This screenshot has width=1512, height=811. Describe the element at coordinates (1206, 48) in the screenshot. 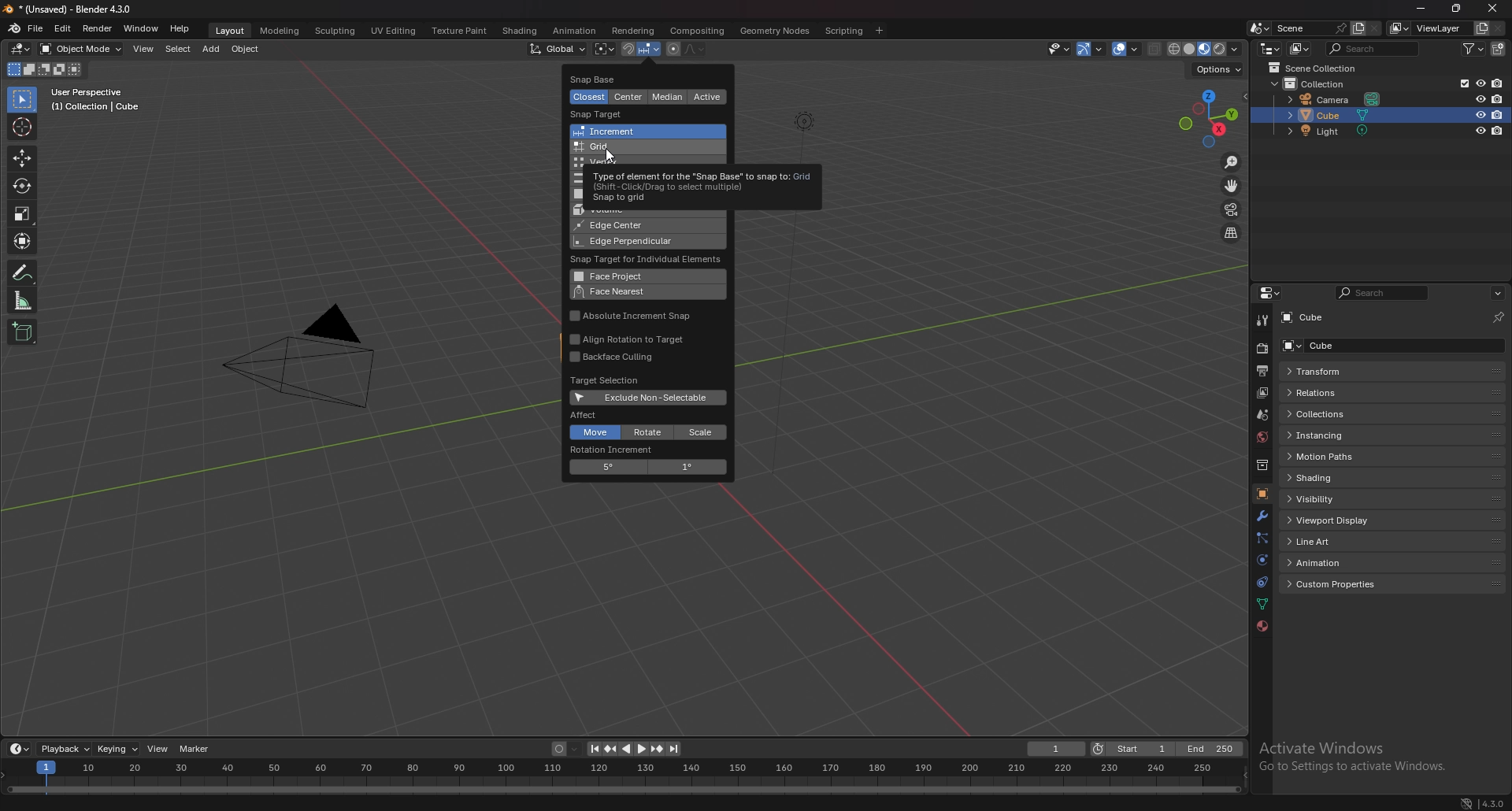

I see `viewport shading` at that location.